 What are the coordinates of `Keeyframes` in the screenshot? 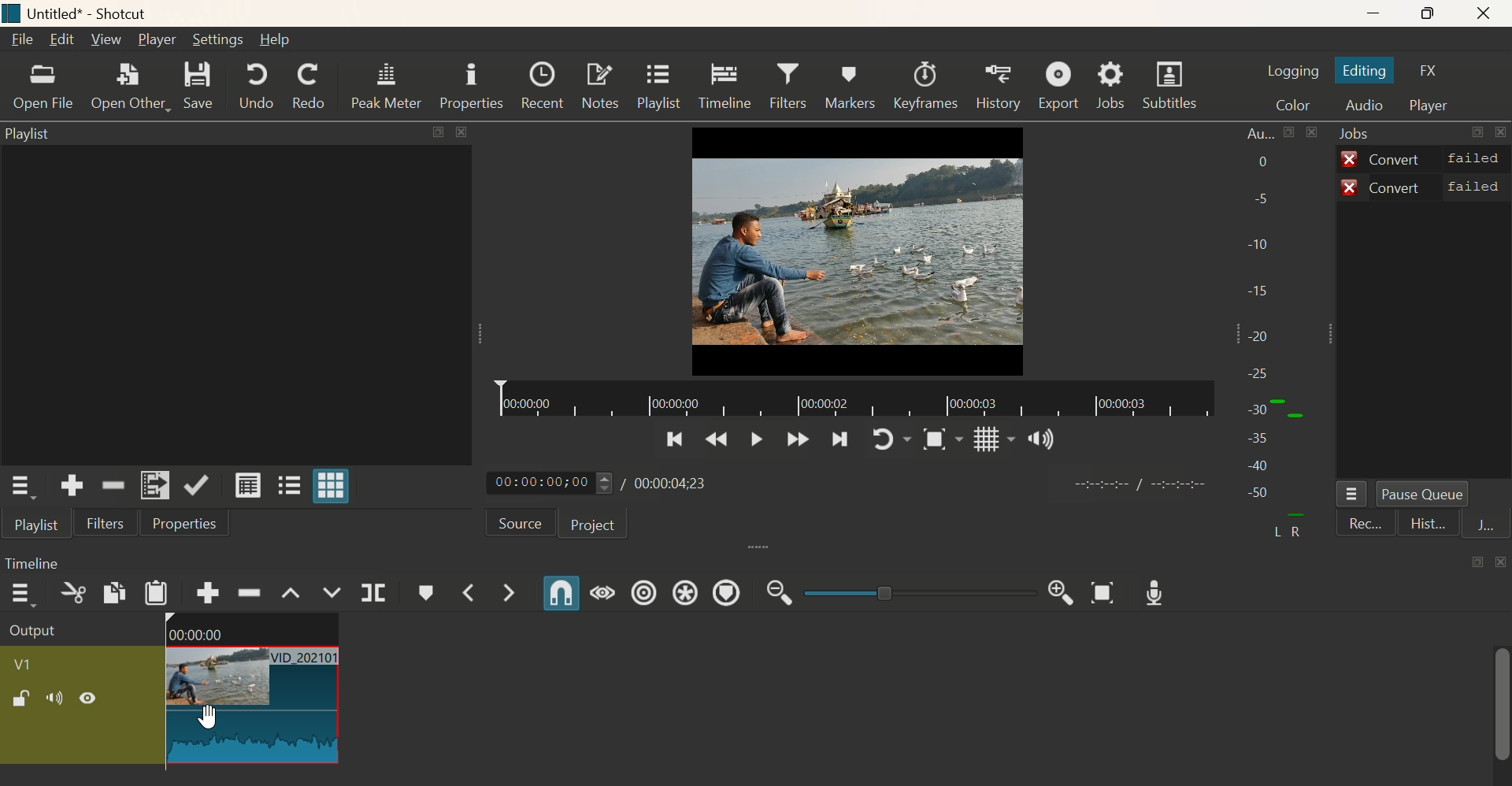 It's located at (928, 87).